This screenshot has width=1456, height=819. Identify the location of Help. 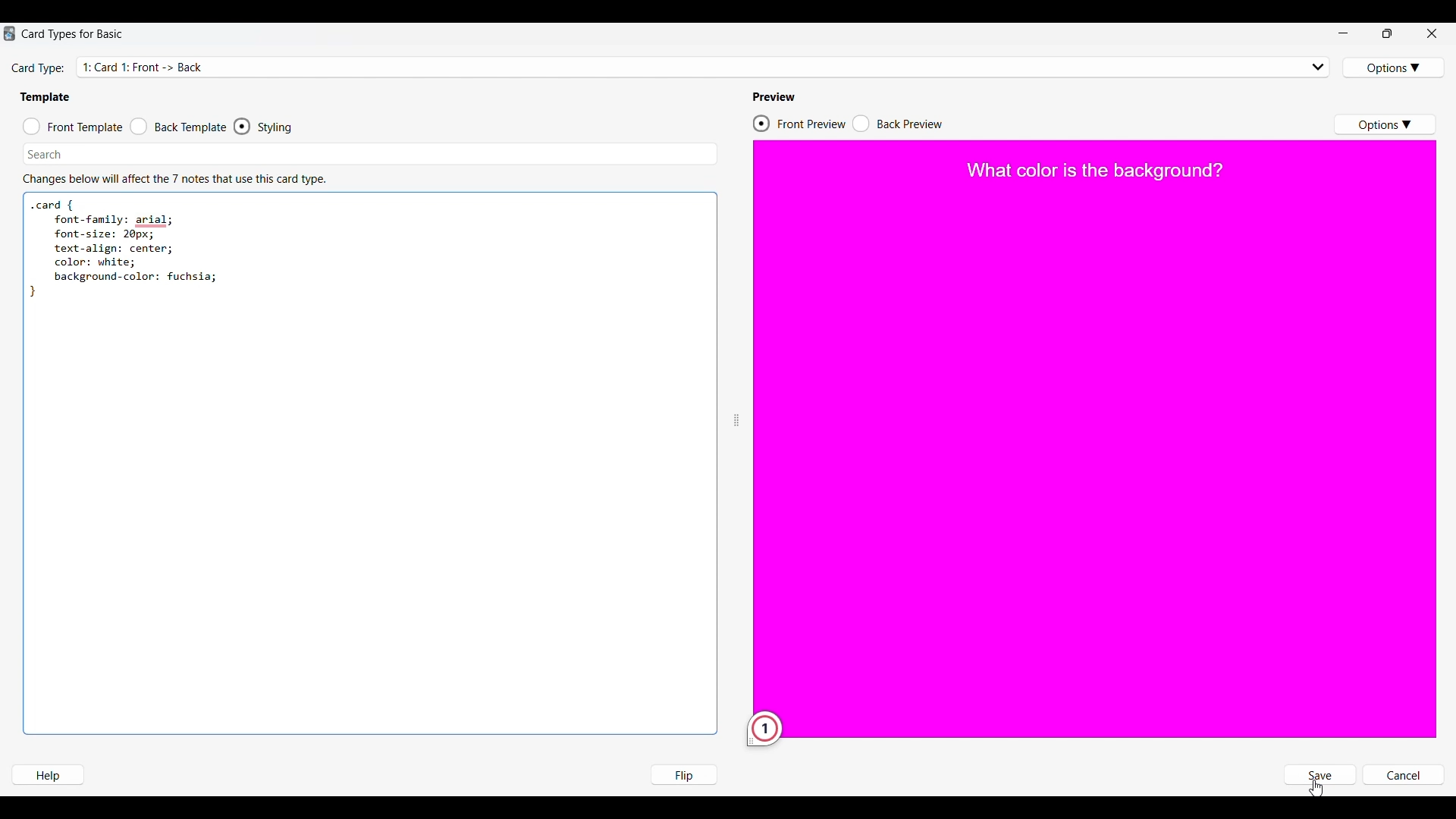
(47, 775).